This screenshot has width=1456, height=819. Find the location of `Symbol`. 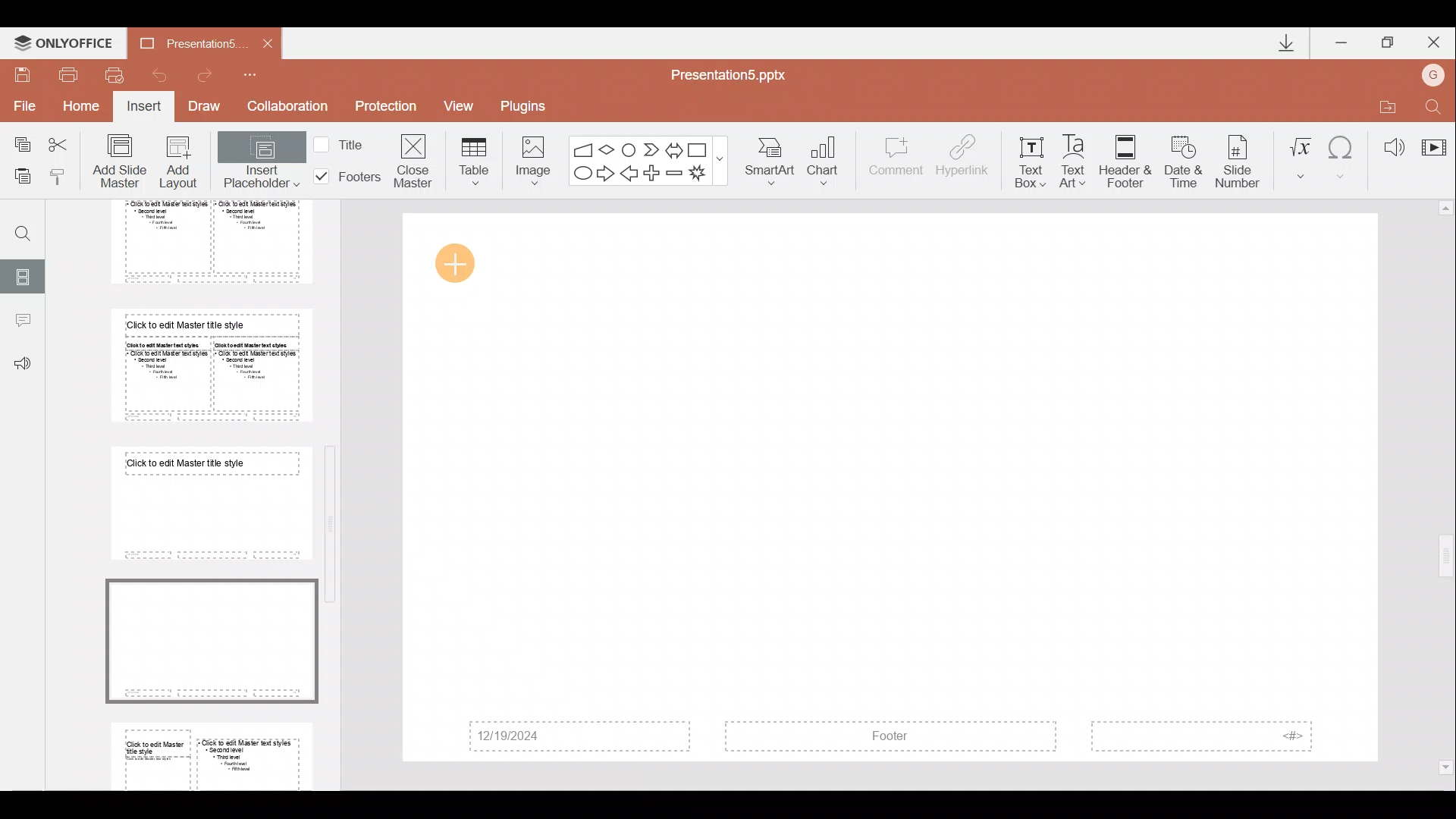

Symbol is located at coordinates (1343, 155).